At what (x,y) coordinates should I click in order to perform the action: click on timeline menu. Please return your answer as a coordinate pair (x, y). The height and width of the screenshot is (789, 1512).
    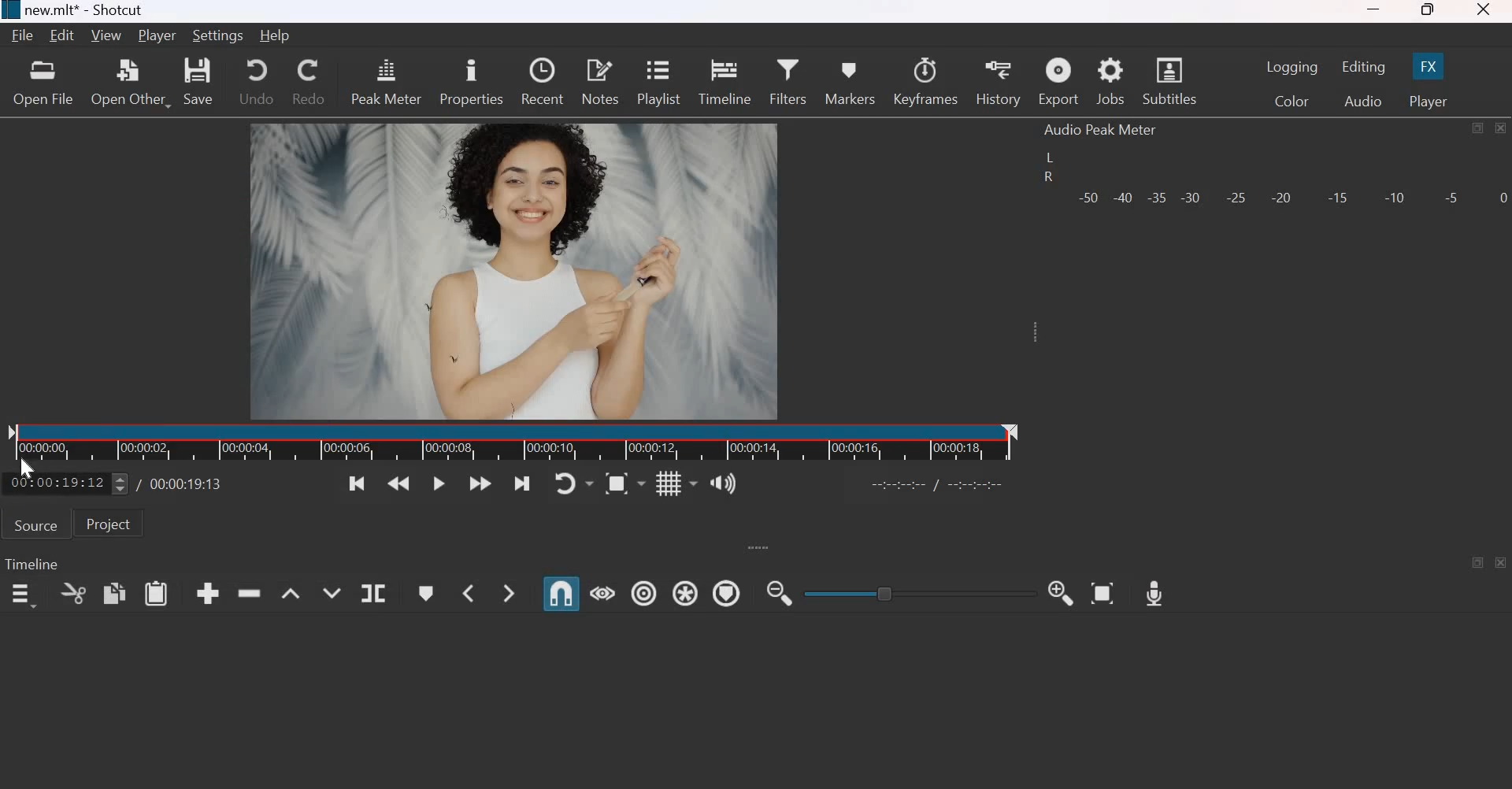
    Looking at the image, I should click on (27, 595).